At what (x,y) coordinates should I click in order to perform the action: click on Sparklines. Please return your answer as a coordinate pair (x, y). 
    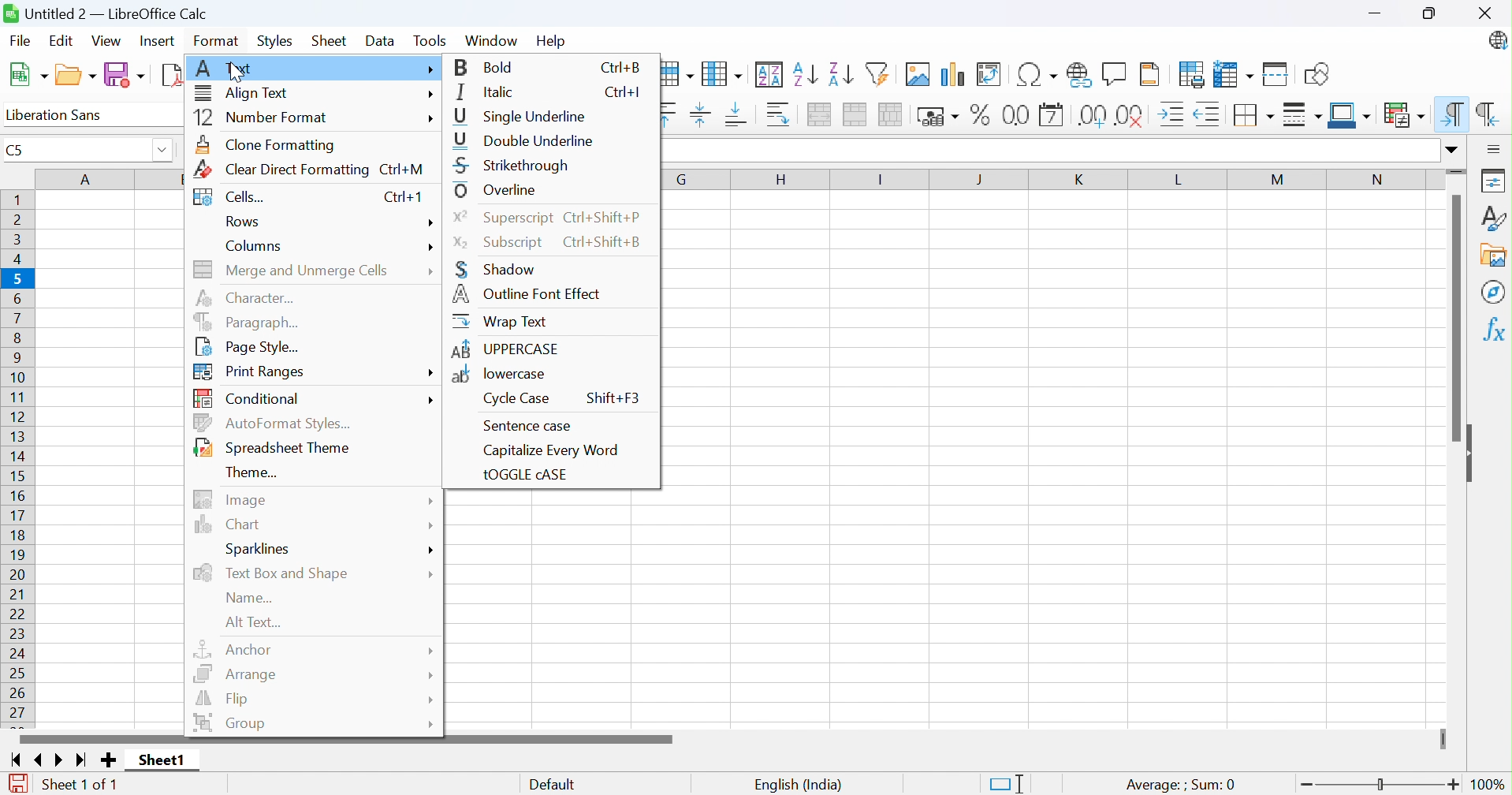
    Looking at the image, I should click on (262, 550).